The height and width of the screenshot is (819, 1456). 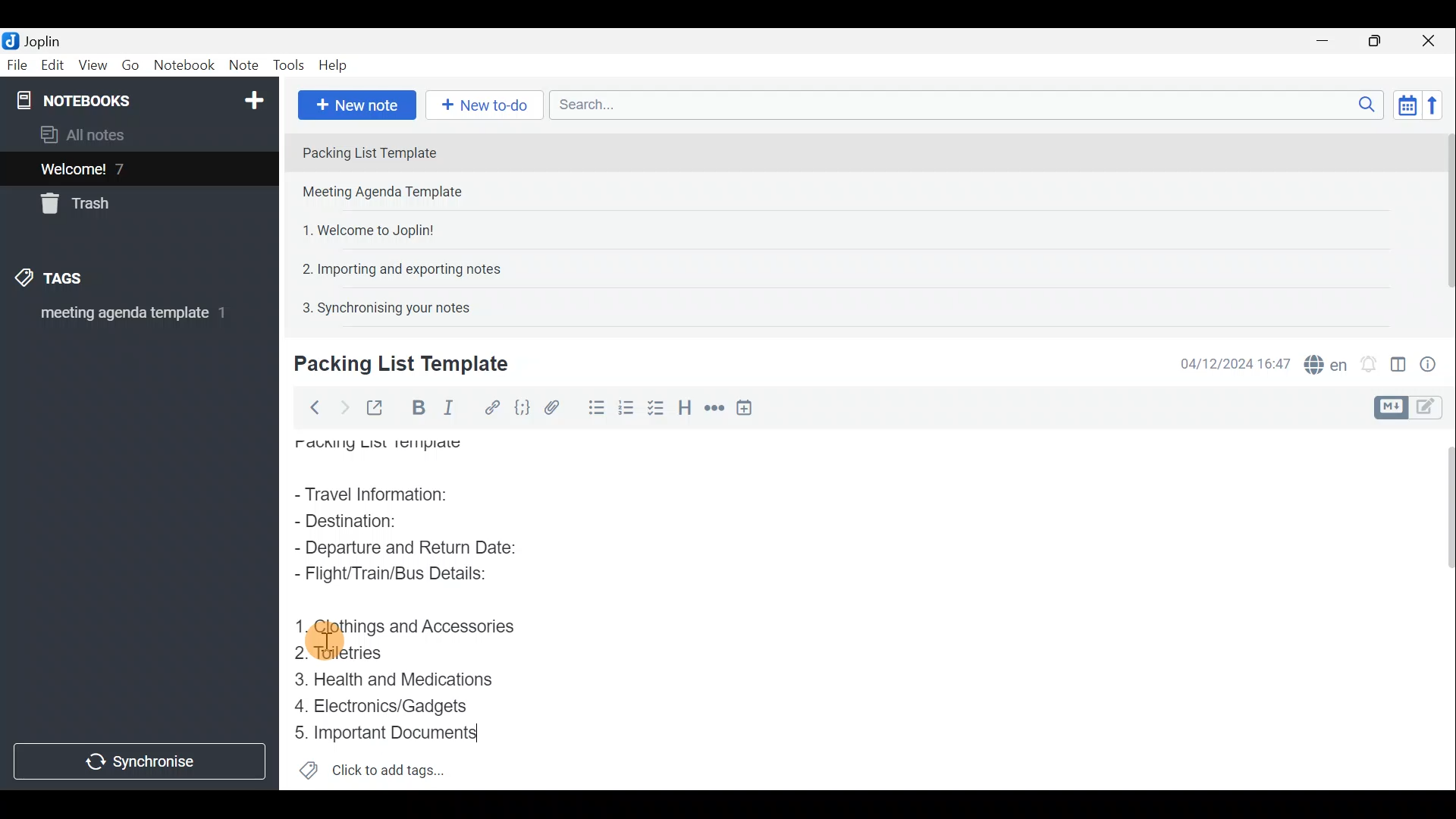 I want to click on Hyperlink, so click(x=489, y=406).